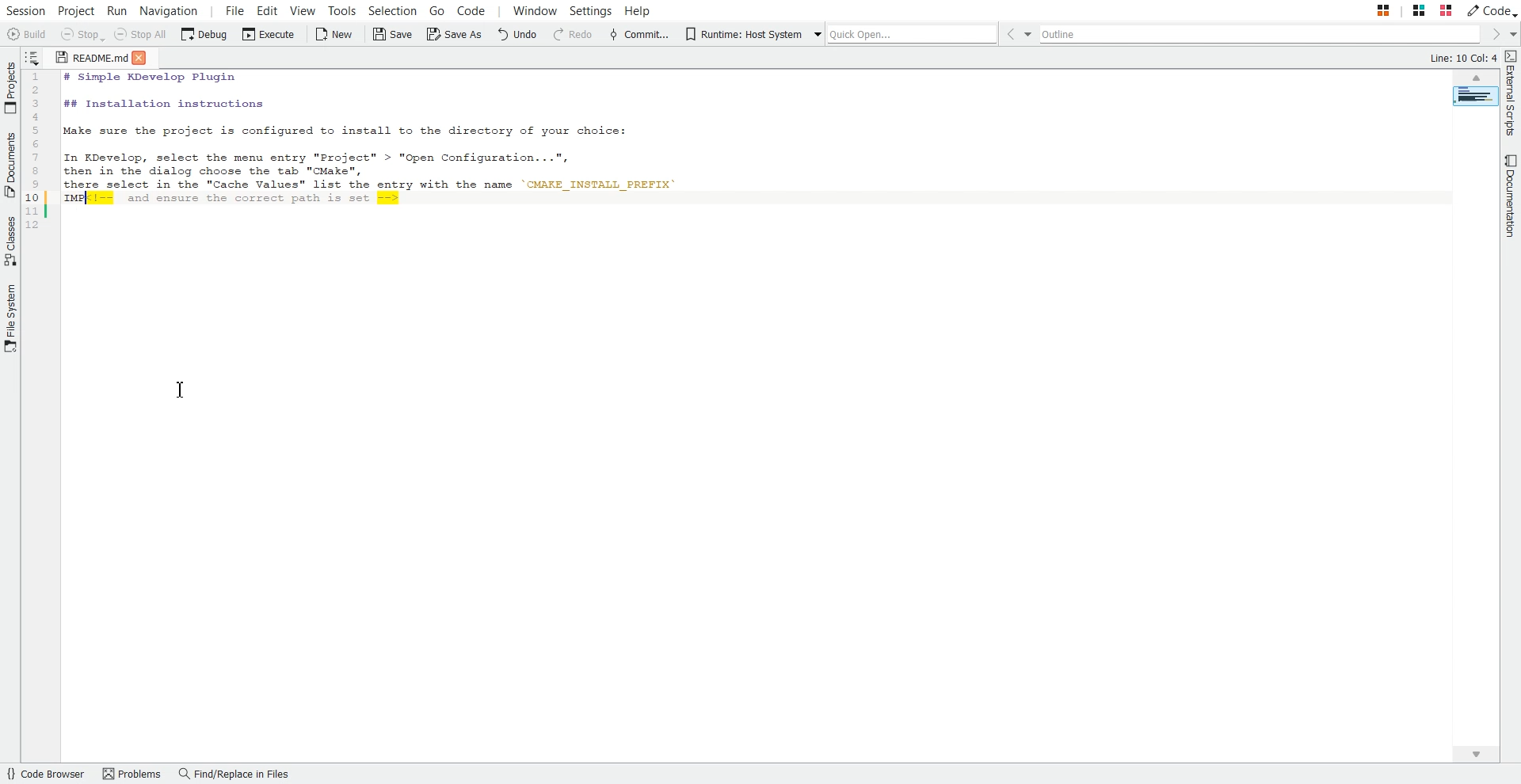 This screenshot has width=1521, height=784. I want to click on Runtime: Host System, so click(741, 35).